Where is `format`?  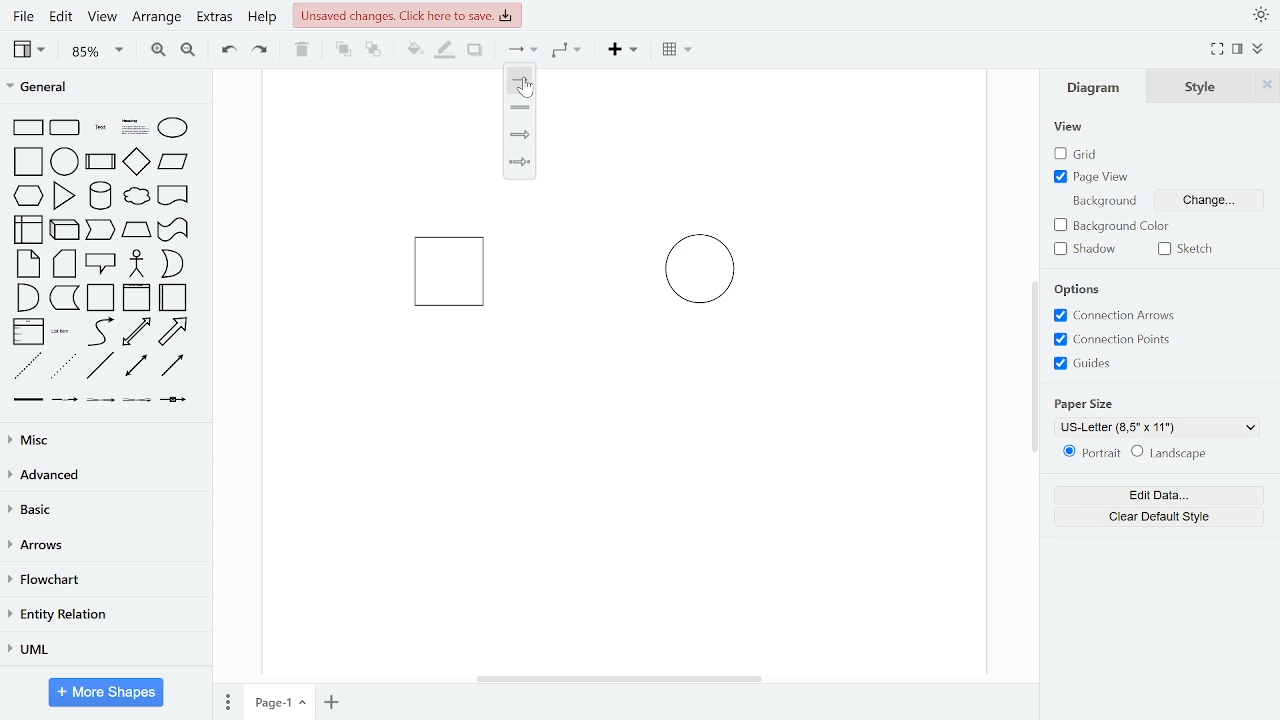 format is located at coordinates (1238, 49).